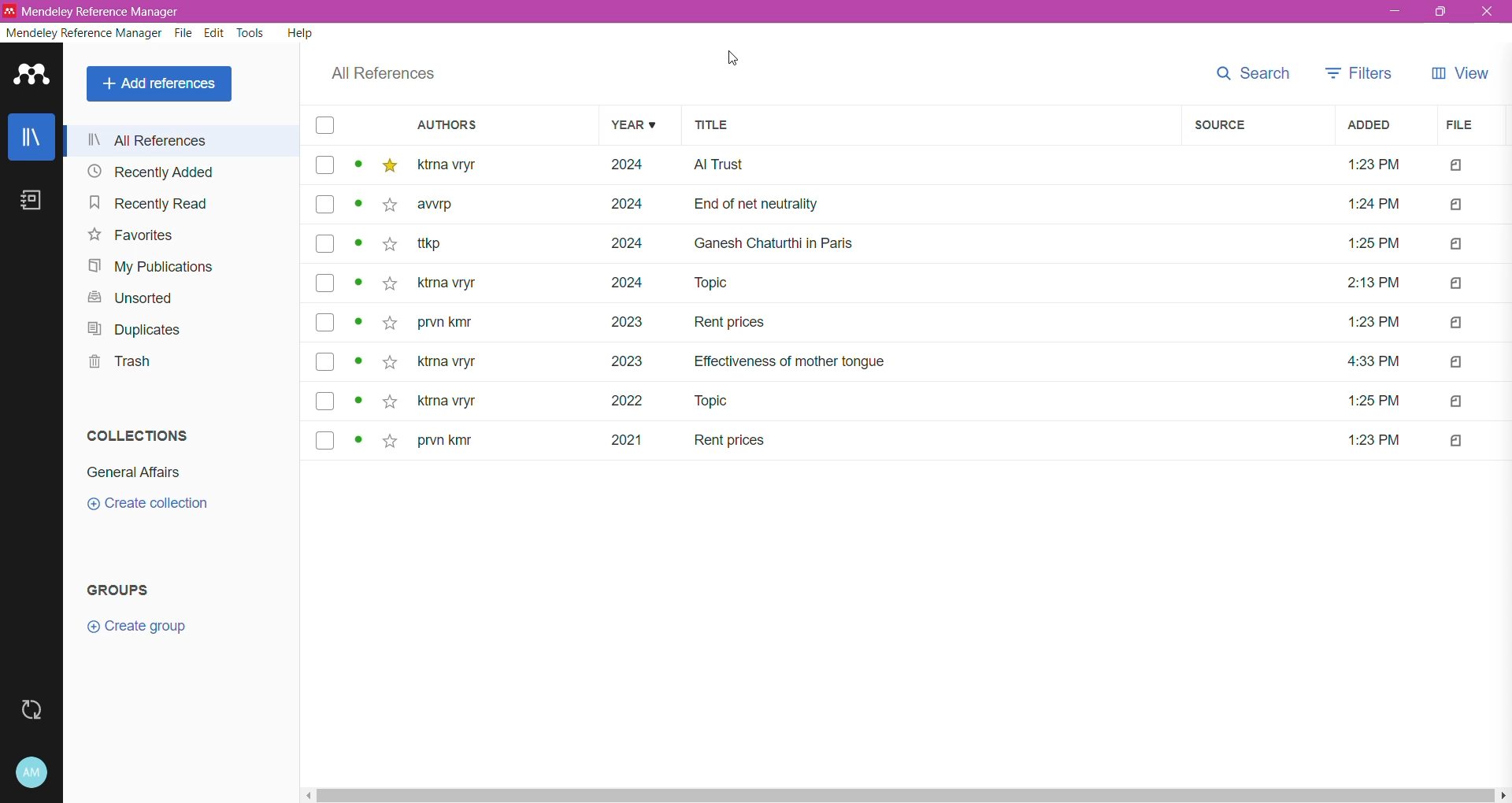  What do you see at coordinates (906, 796) in the screenshot?
I see `Horizontal Scroll Bar` at bounding box center [906, 796].